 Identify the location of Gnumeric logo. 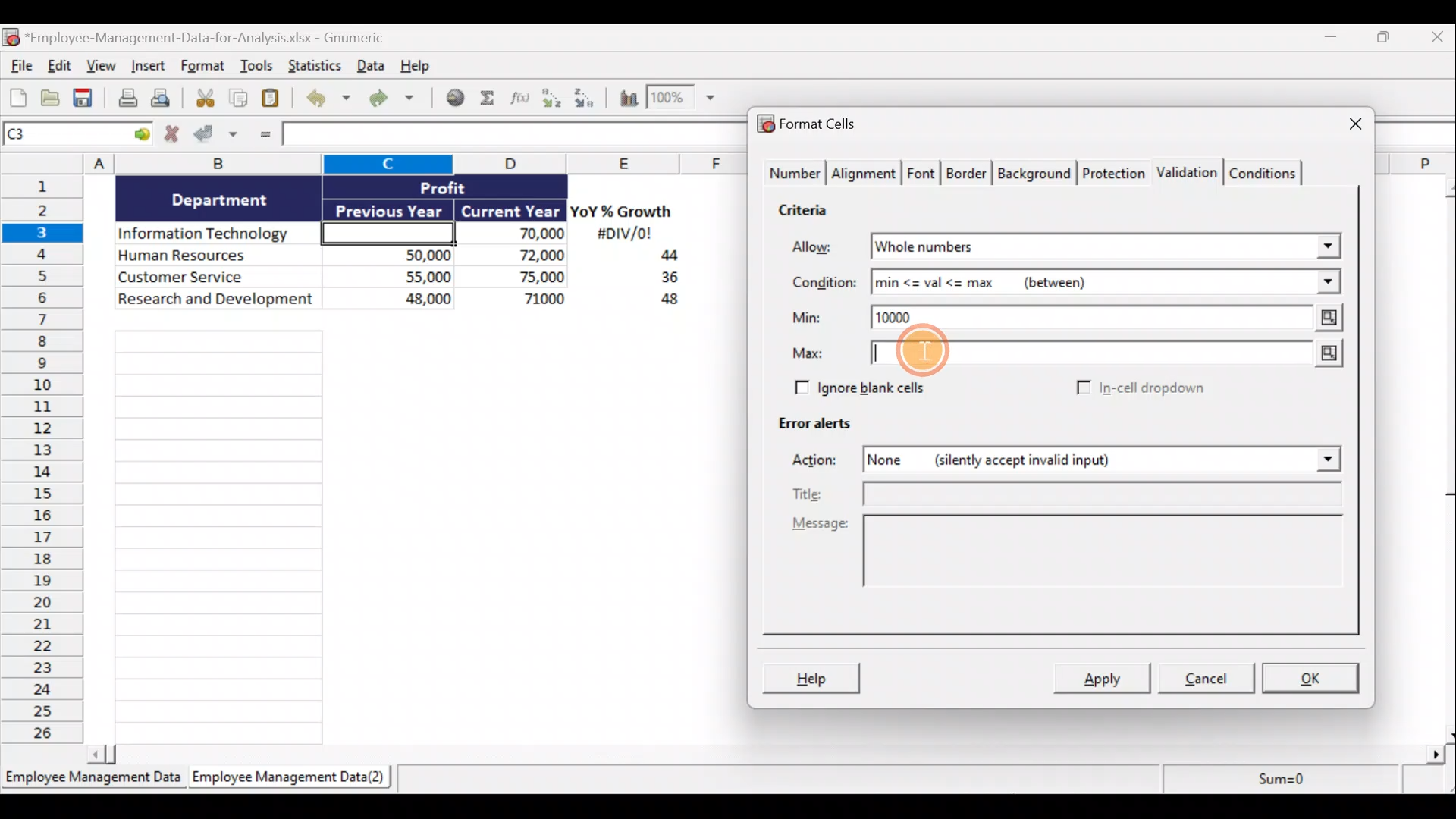
(10, 37).